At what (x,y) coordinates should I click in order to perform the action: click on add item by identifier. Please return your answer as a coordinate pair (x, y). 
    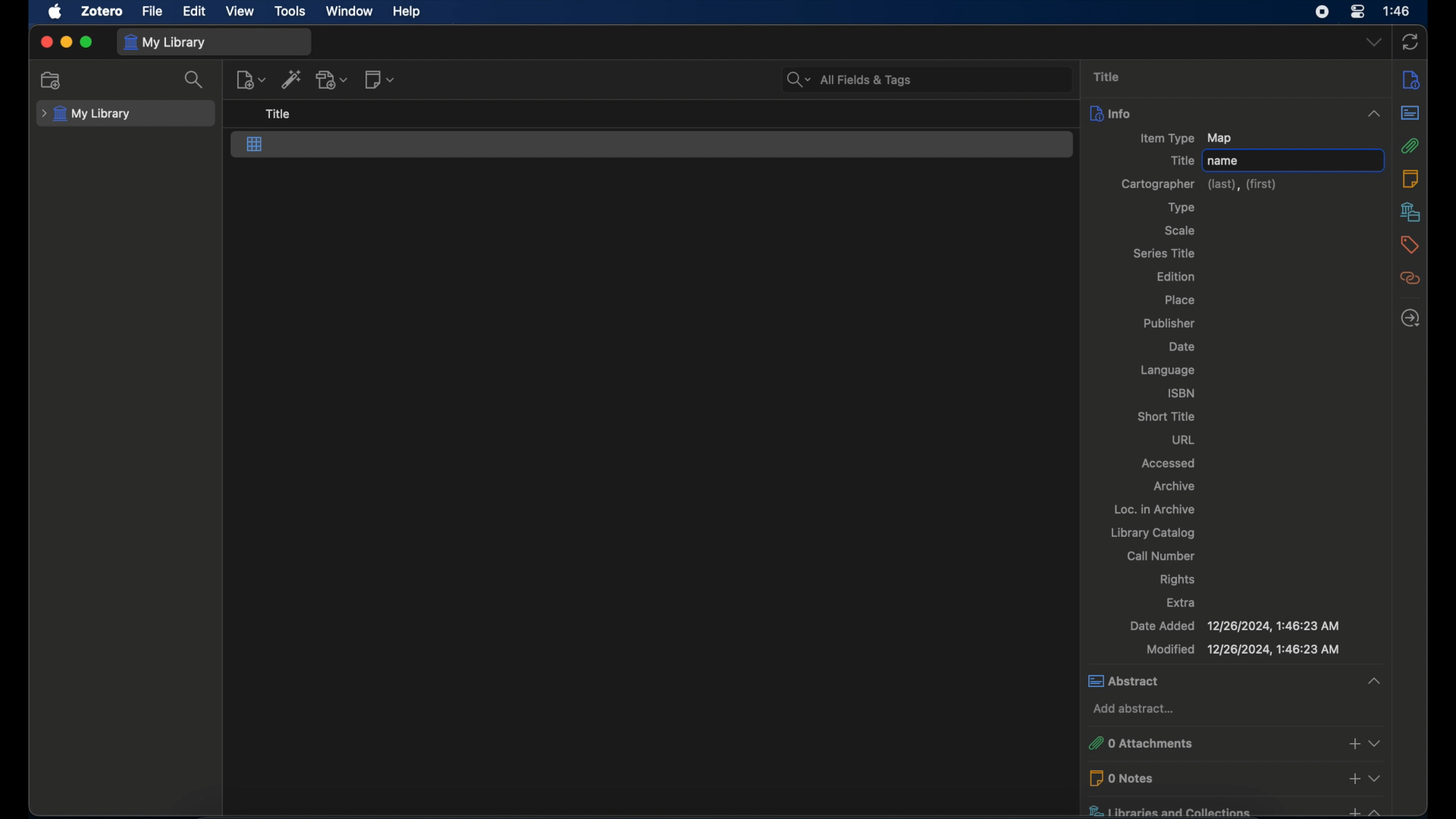
    Looking at the image, I should click on (292, 79).